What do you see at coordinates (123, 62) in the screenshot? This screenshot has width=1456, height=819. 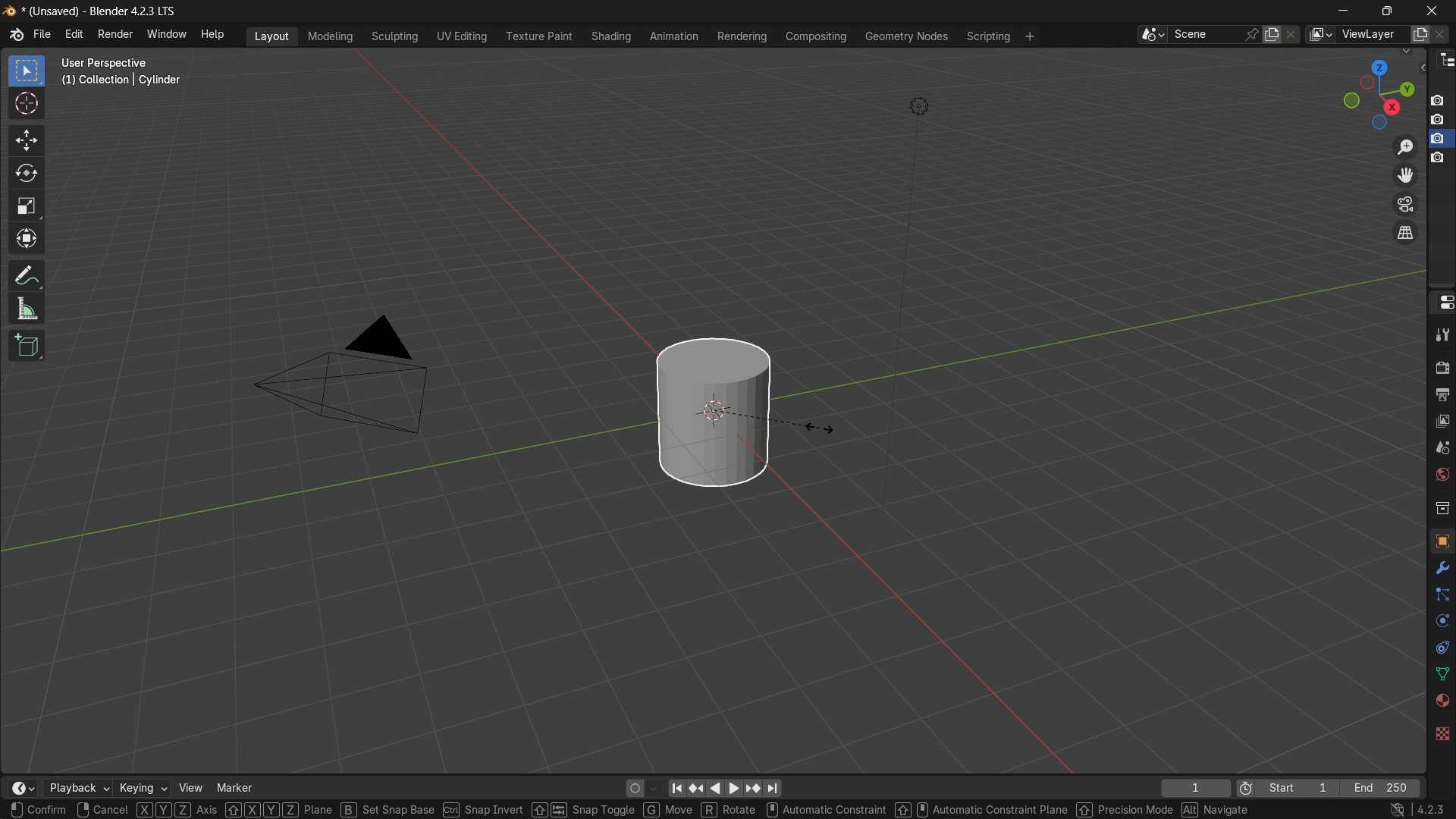 I see `User Perspective` at bounding box center [123, 62].